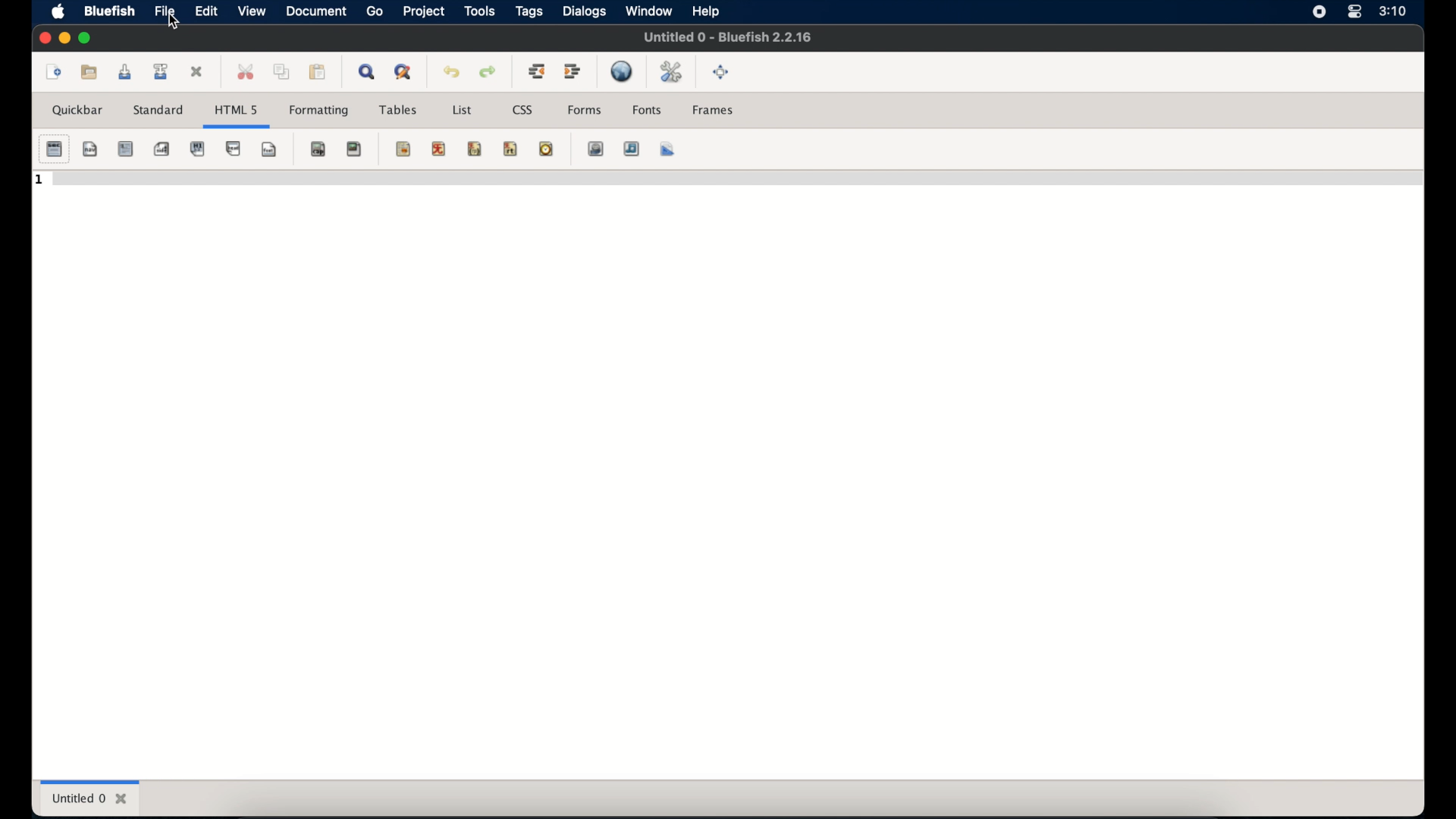 The height and width of the screenshot is (819, 1456). I want to click on header, so click(233, 149).